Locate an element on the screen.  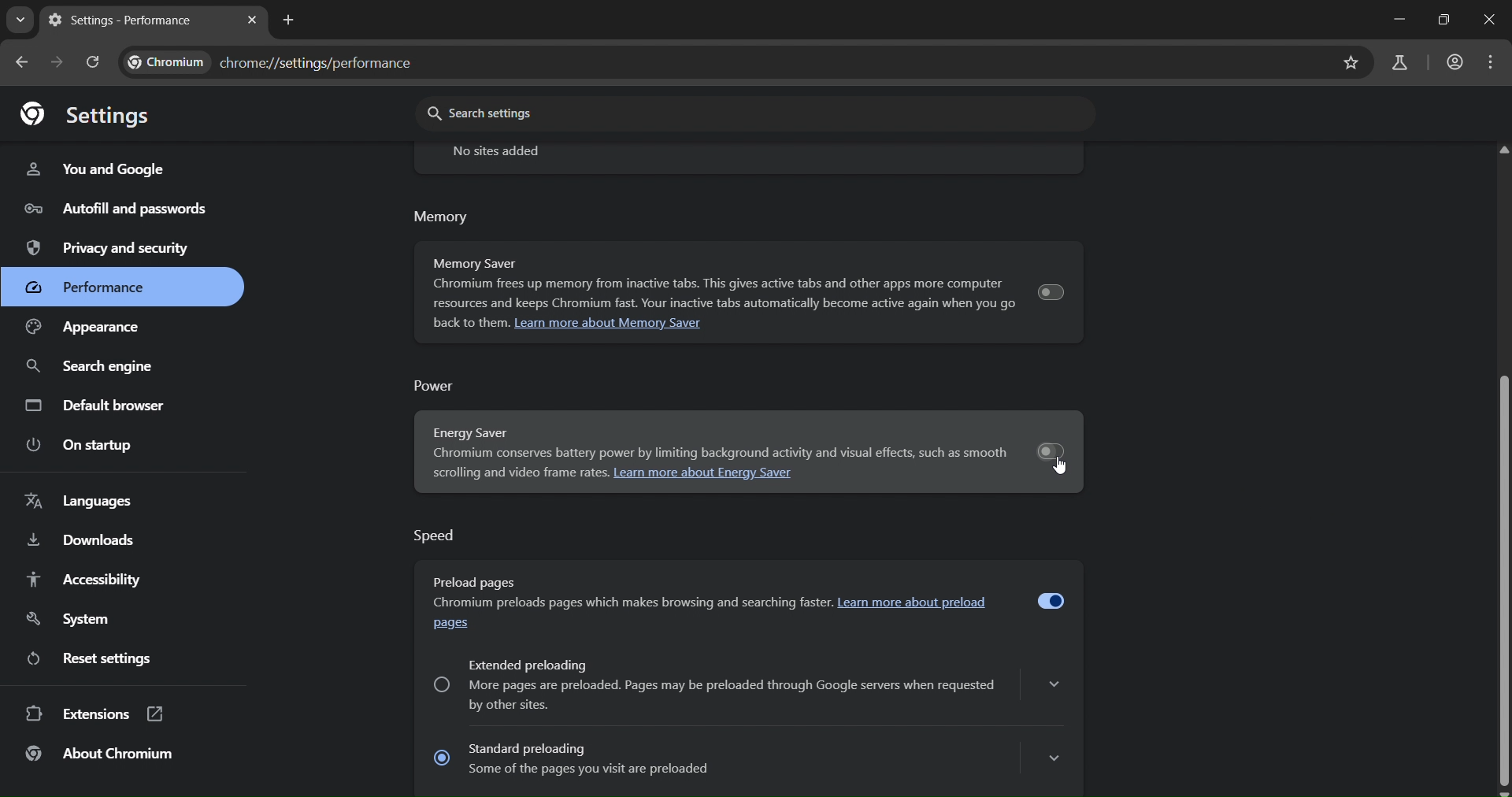
Memory Saver
Chromium frees up memory from inactive tabs. This gives active tabs and other apps more computer
resources and keeps Chromium fast. Your inactive tabs automatically become active again when you go is located at coordinates (721, 284).